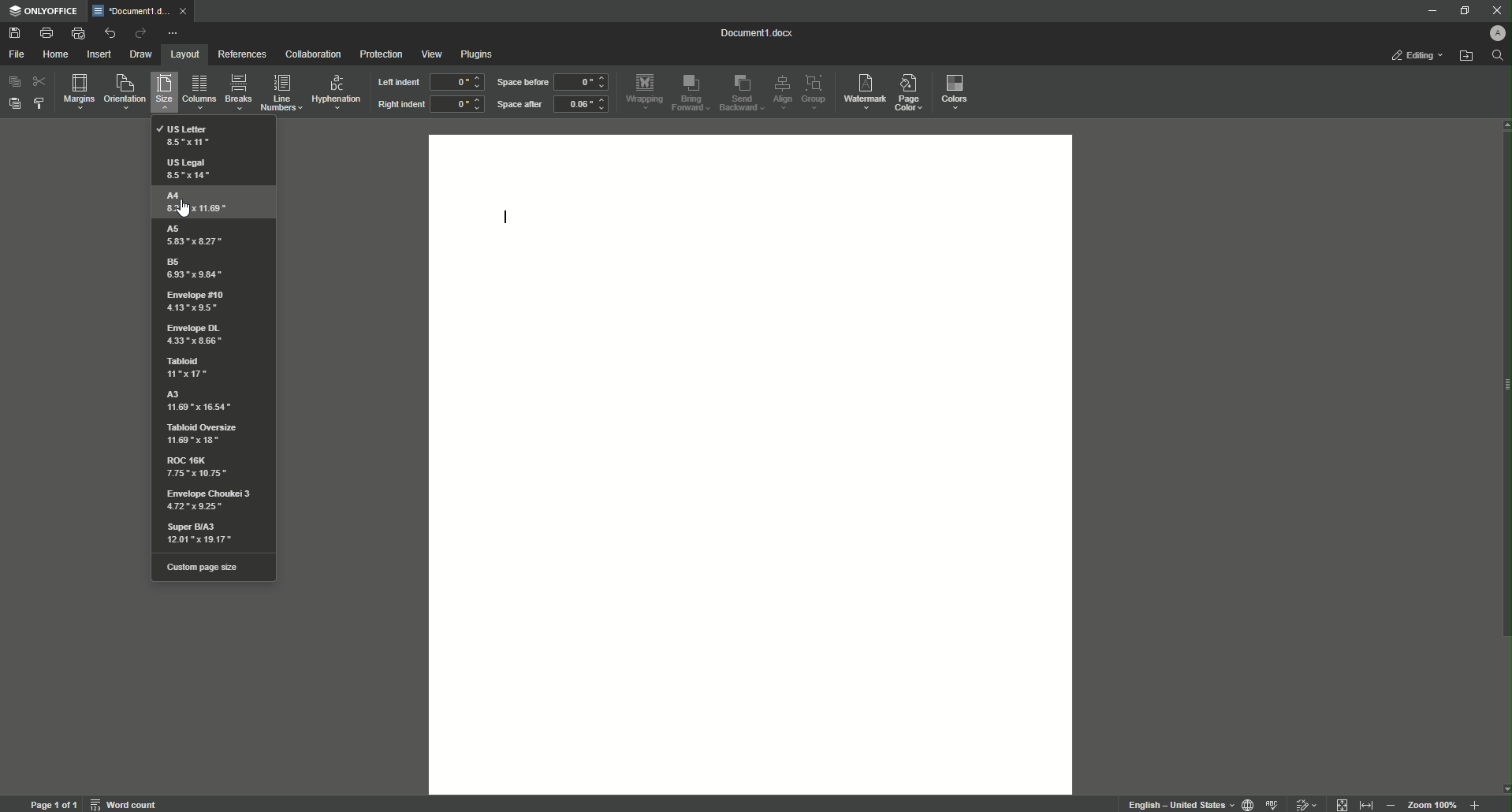  What do you see at coordinates (77, 92) in the screenshot?
I see `Margins` at bounding box center [77, 92].